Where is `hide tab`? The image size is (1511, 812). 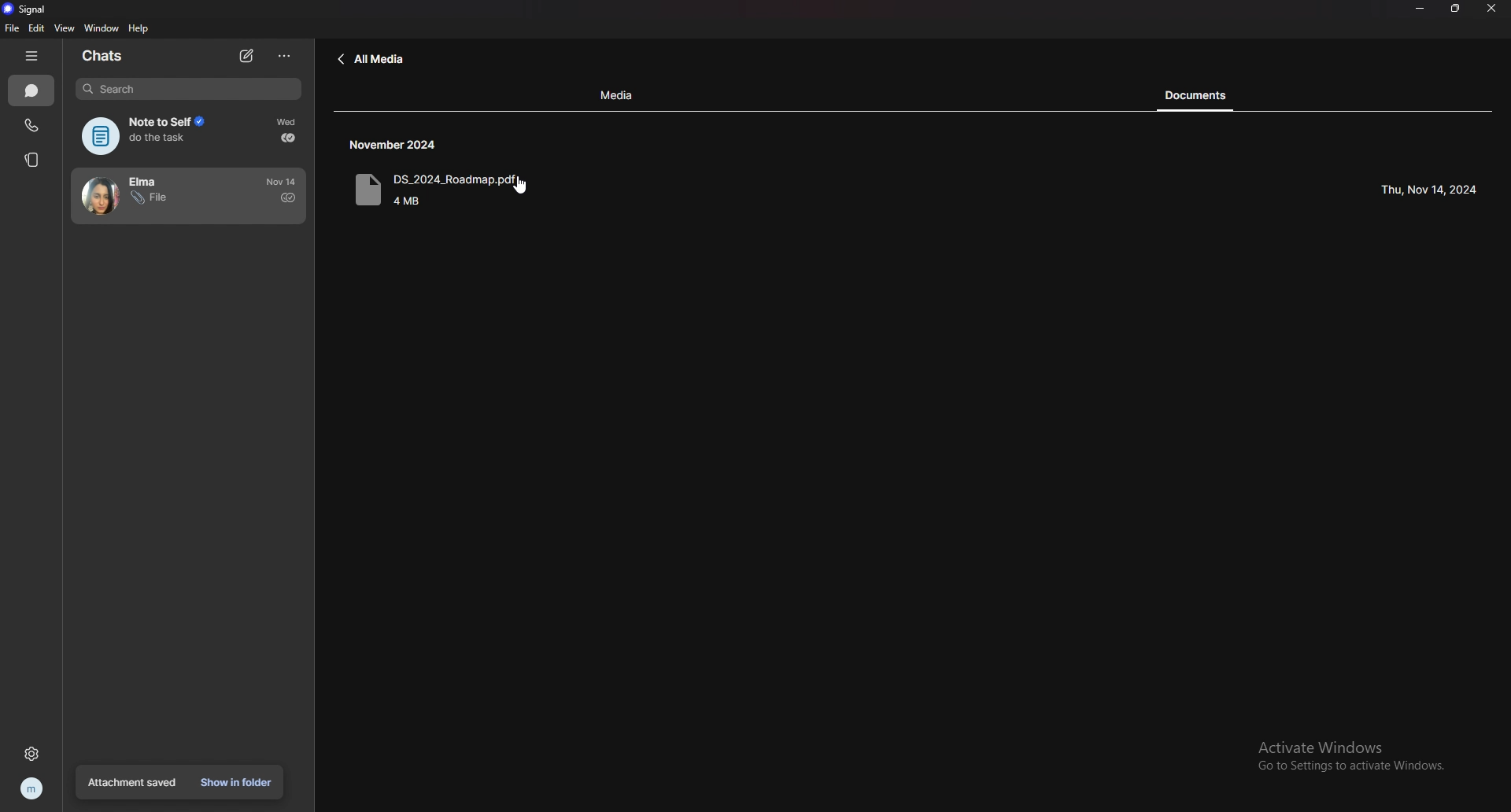 hide tab is located at coordinates (30, 57).